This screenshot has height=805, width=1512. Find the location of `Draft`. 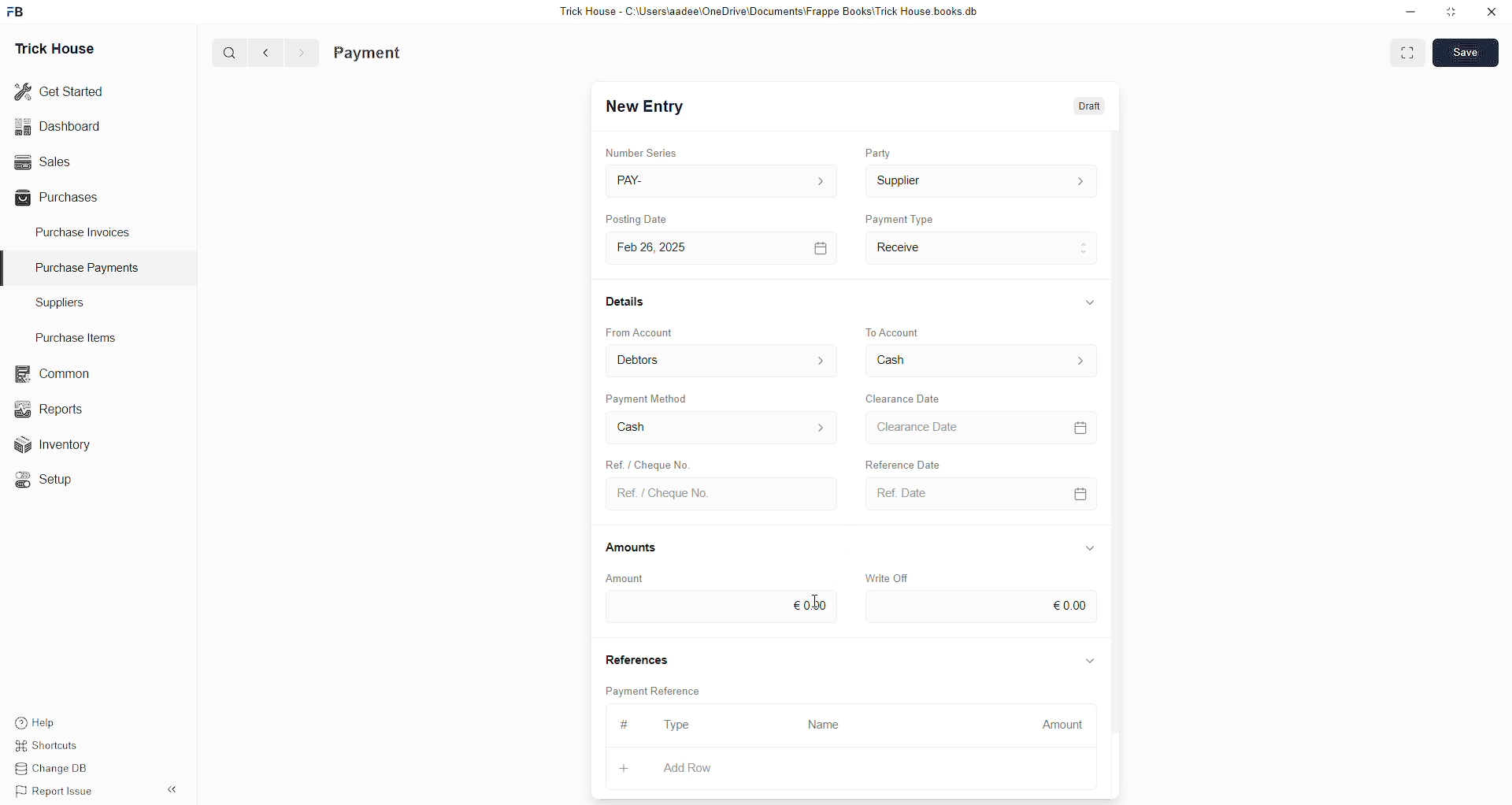

Draft is located at coordinates (1085, 109).